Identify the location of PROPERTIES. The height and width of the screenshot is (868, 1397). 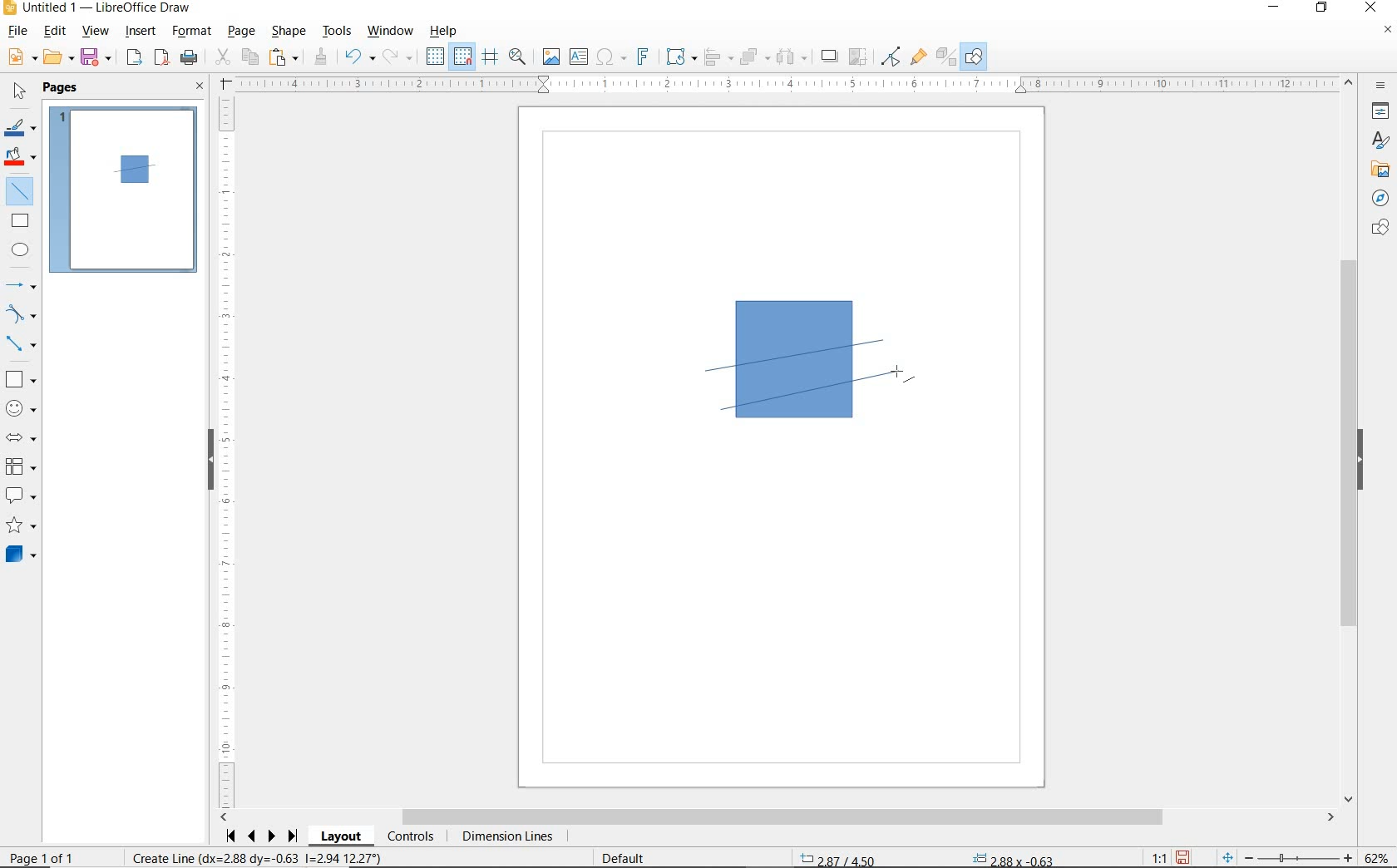
(1378, 113).